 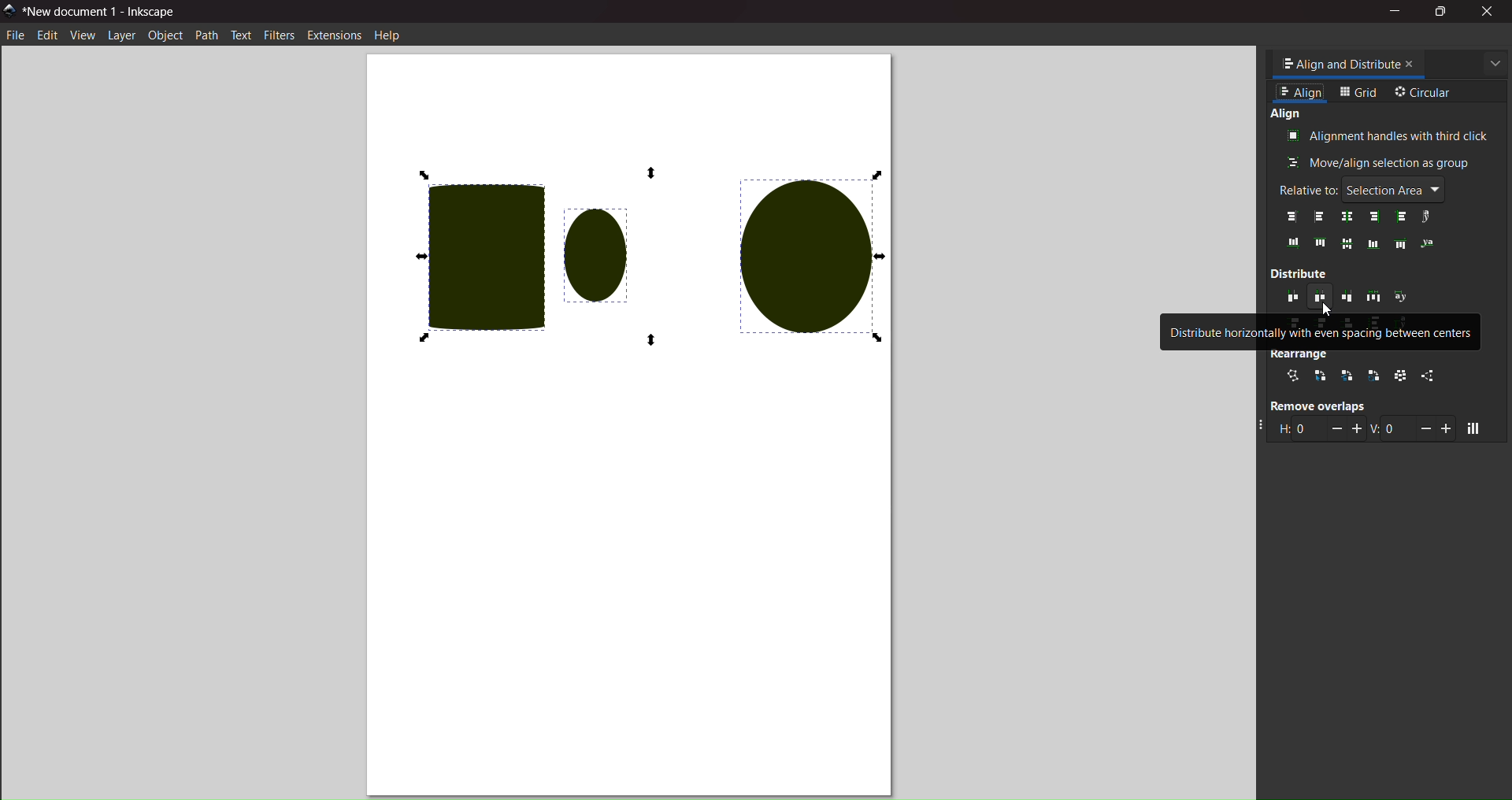 What do you see at coordinates (1374, 376) in the screenshot?
I see `rotate around center point` at bounding box center [1374, 376].